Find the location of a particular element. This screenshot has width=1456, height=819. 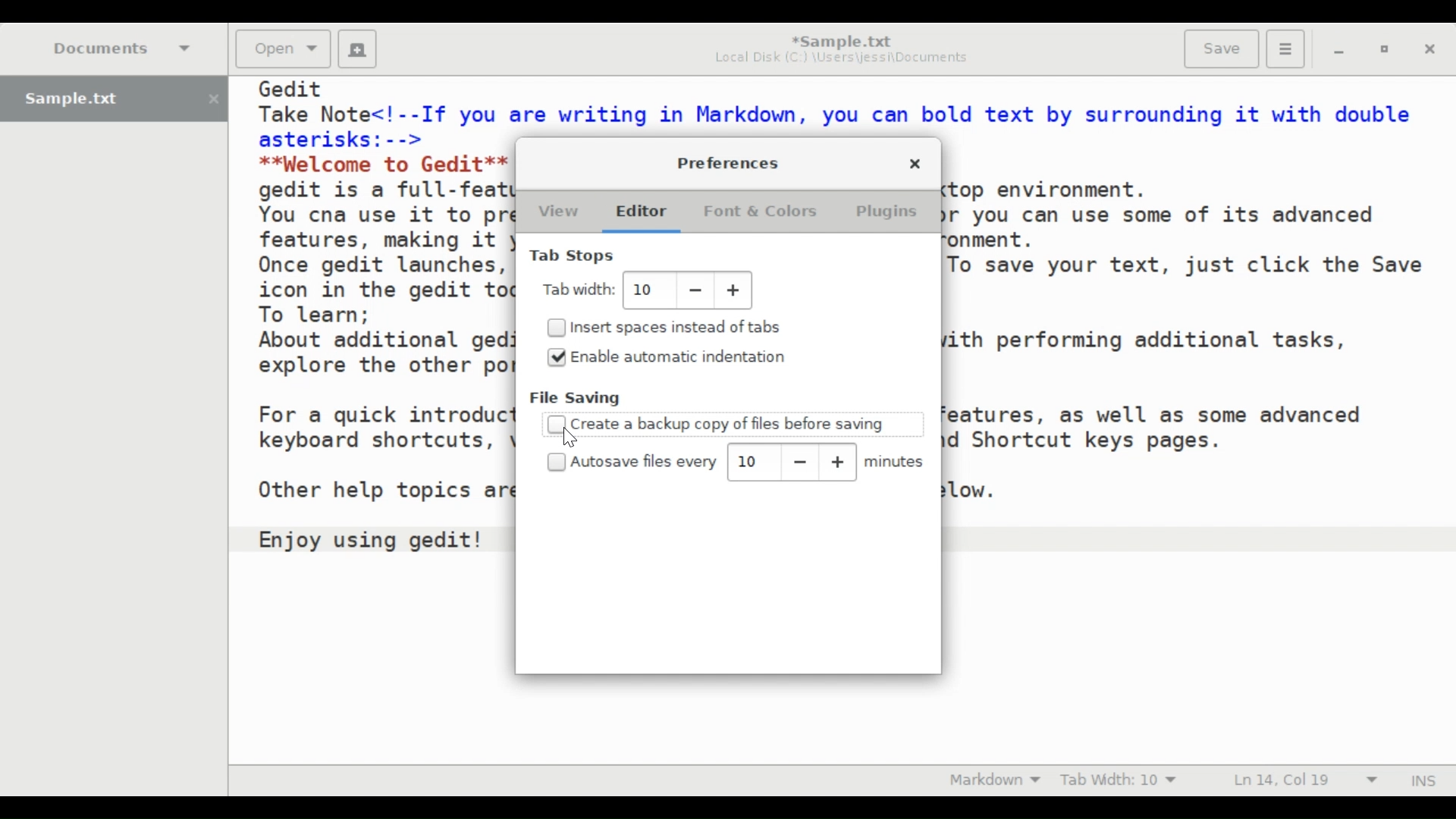

Create a new Document is located at coordinates (357, 49).